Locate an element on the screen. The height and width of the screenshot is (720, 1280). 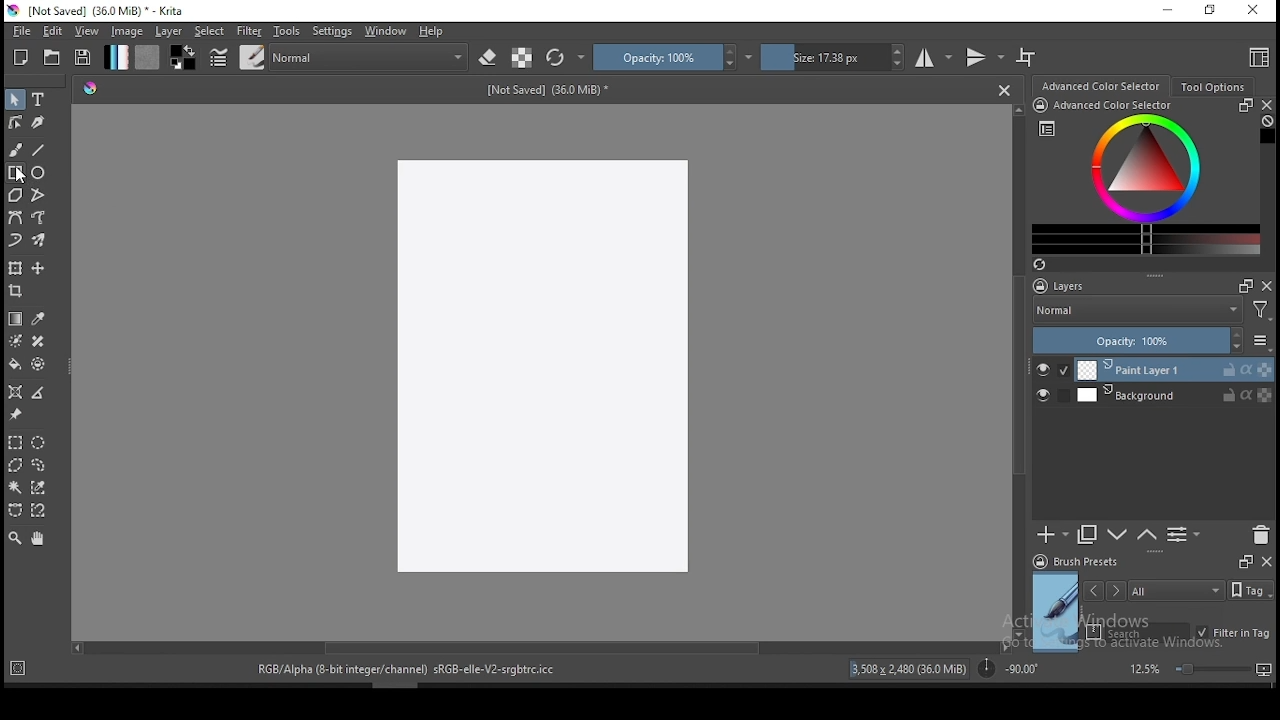
text is located at coordinates (406, 670).